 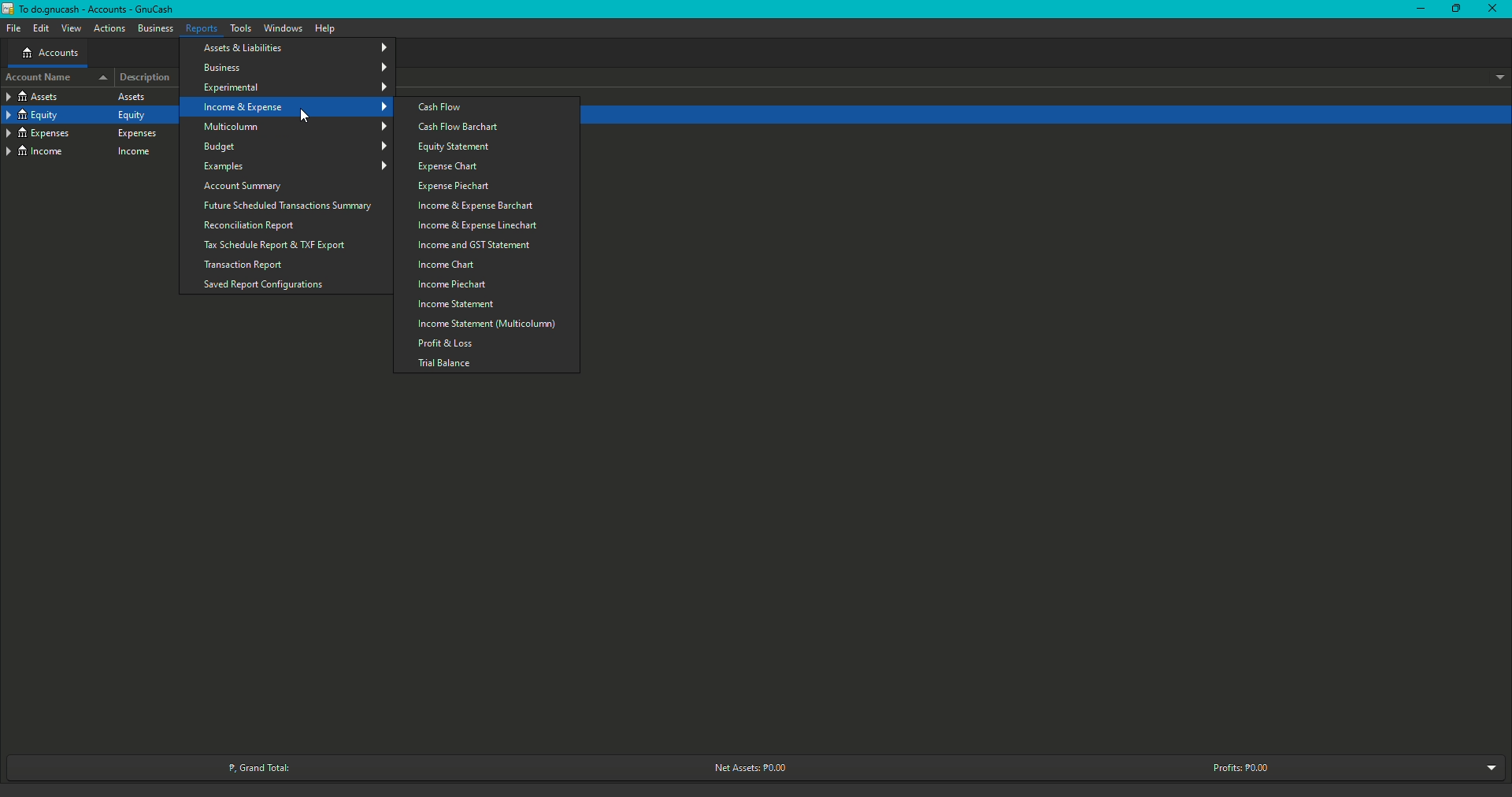 What do you see at coordinates (476, 207) in the screenshot?
I see `Income and Expense barchart` at bounding box center [476, 207].